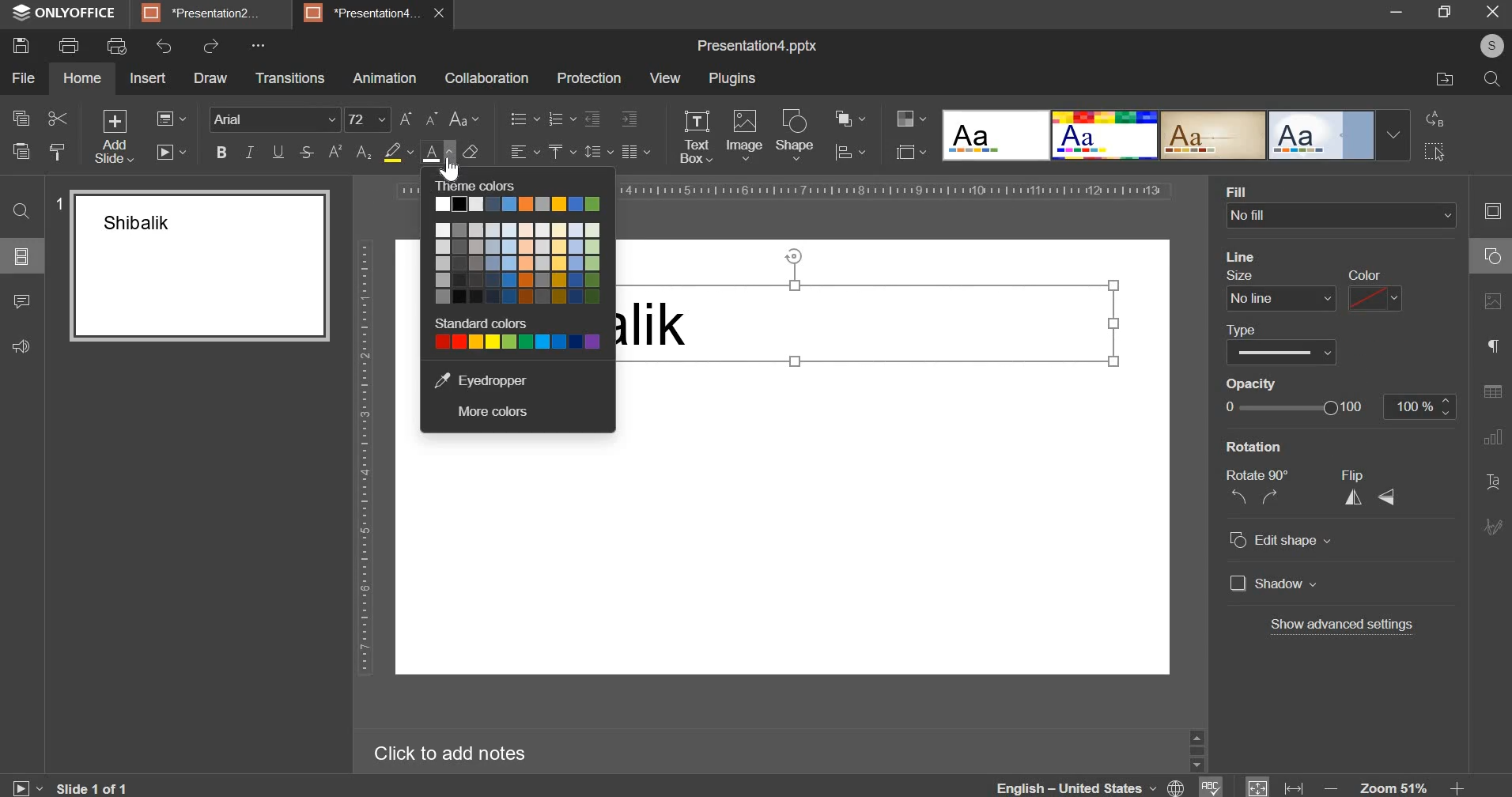  Describe the element at coordinates (278, 152) in the screenshot. I see `underline` at that location.